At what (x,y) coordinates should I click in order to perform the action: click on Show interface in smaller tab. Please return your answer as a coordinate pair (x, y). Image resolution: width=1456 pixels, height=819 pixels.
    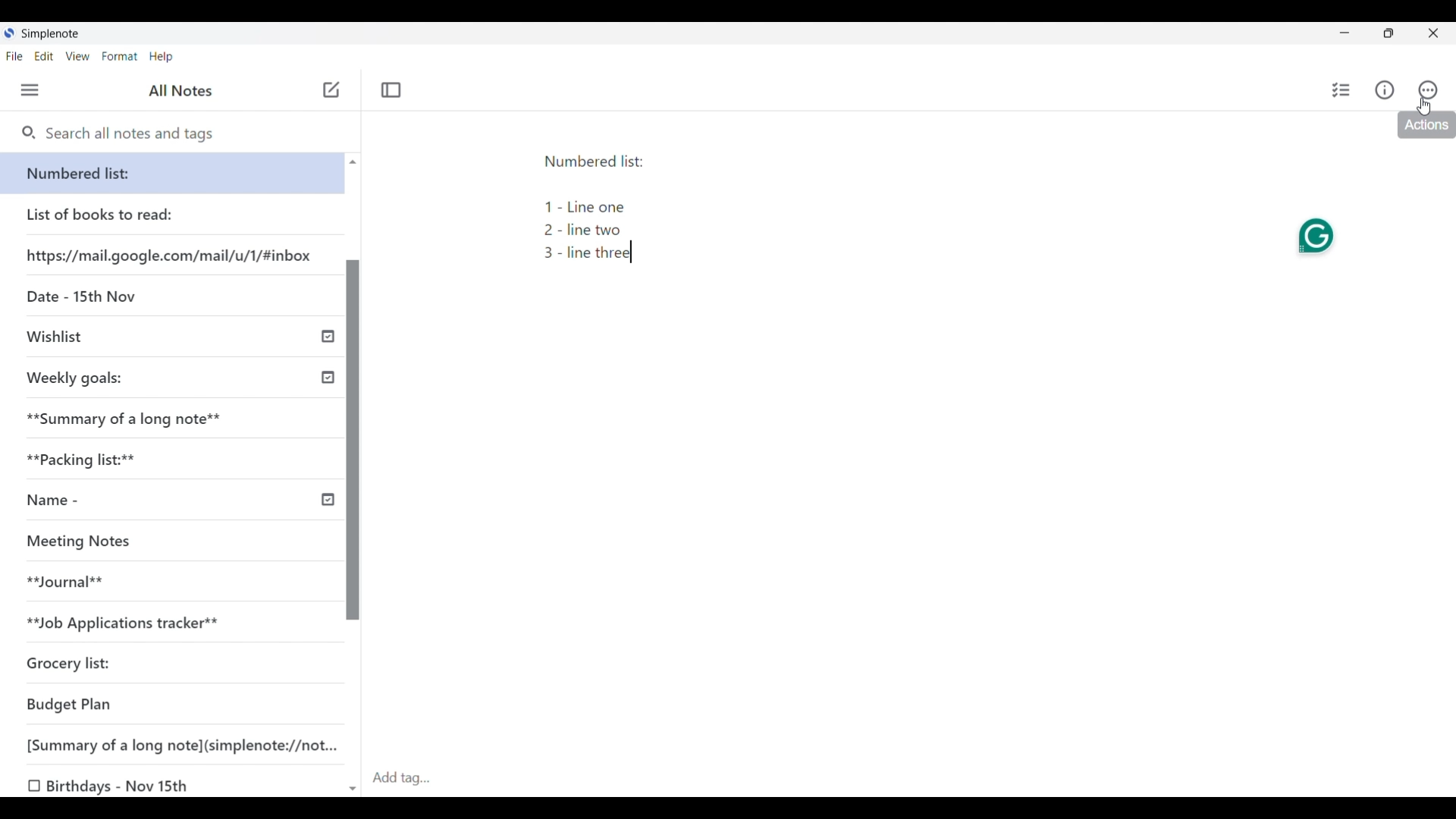
    Looking at the image, I should click on (1389, 33).